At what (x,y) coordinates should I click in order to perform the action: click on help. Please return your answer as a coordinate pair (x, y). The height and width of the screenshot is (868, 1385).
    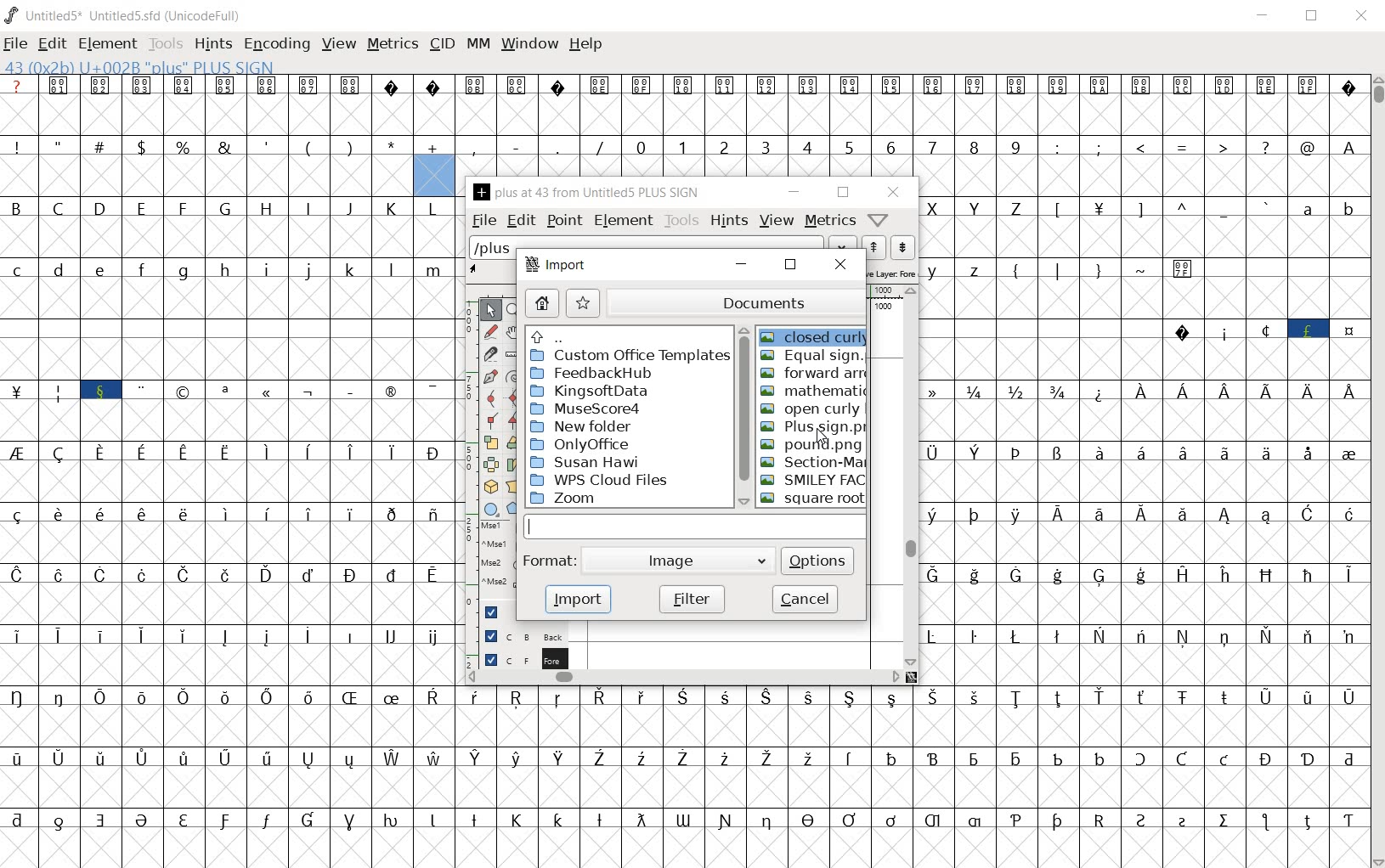
    Looking at the image, I should click on (586, 45).